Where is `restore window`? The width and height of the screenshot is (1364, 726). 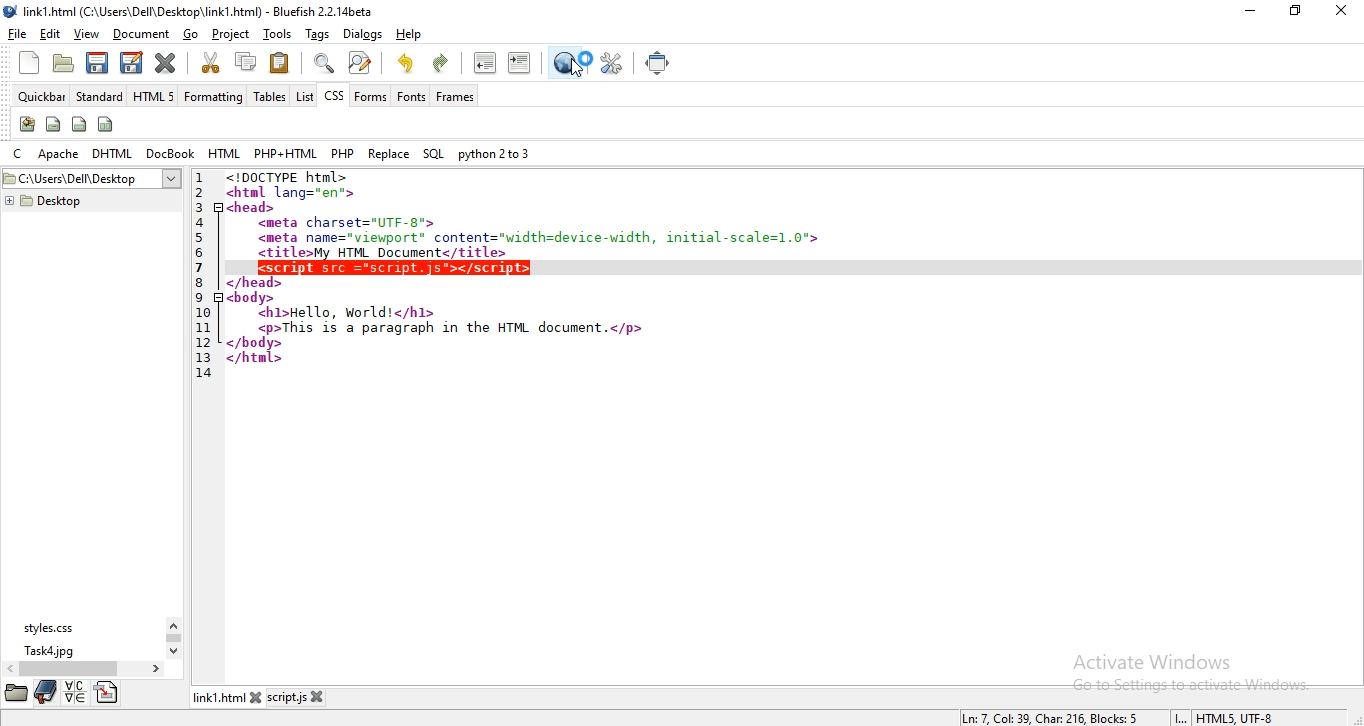
restore window is located at coordinates (1292, 10).